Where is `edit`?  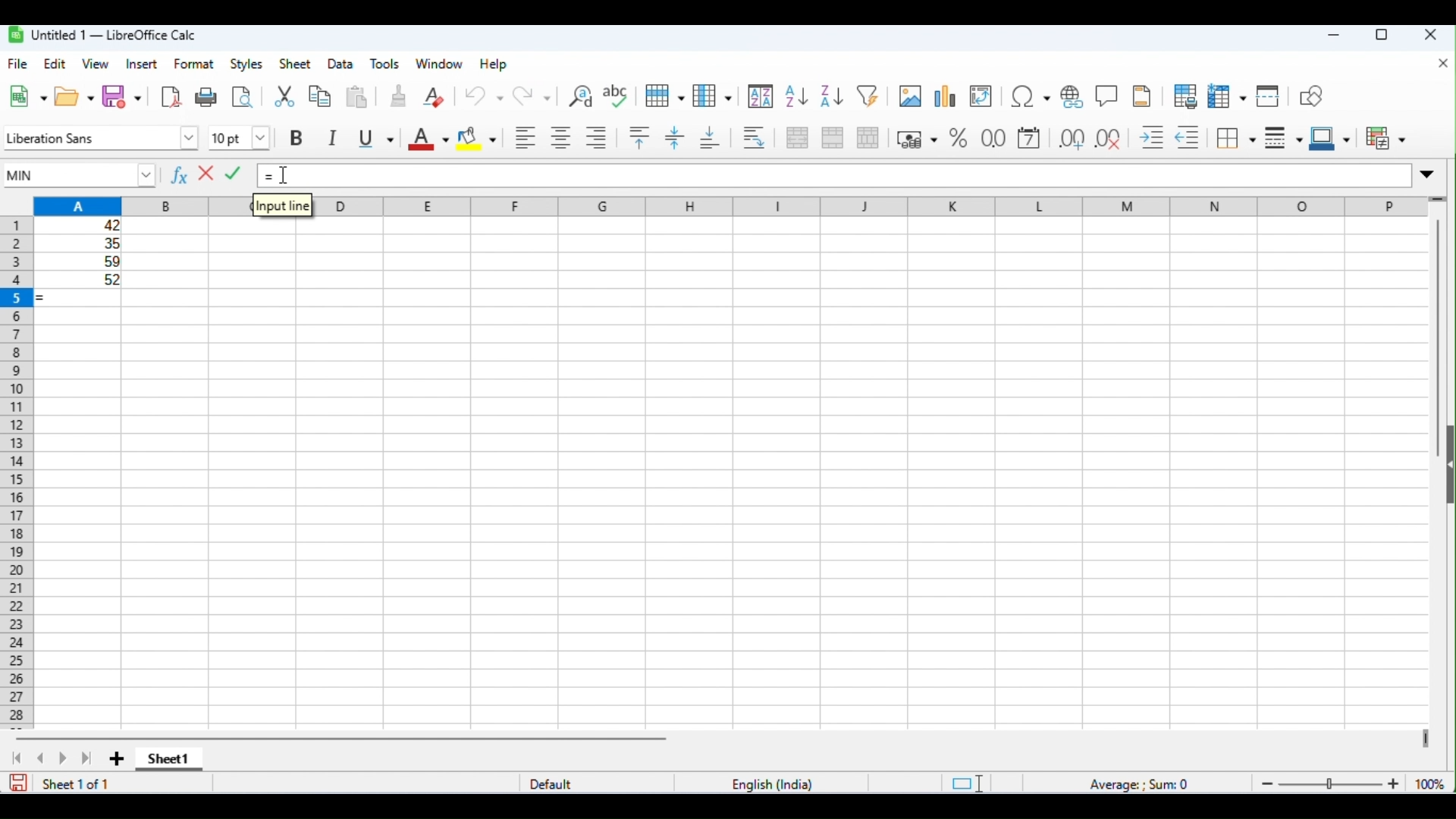 edit is located at coordinates (56, 65).